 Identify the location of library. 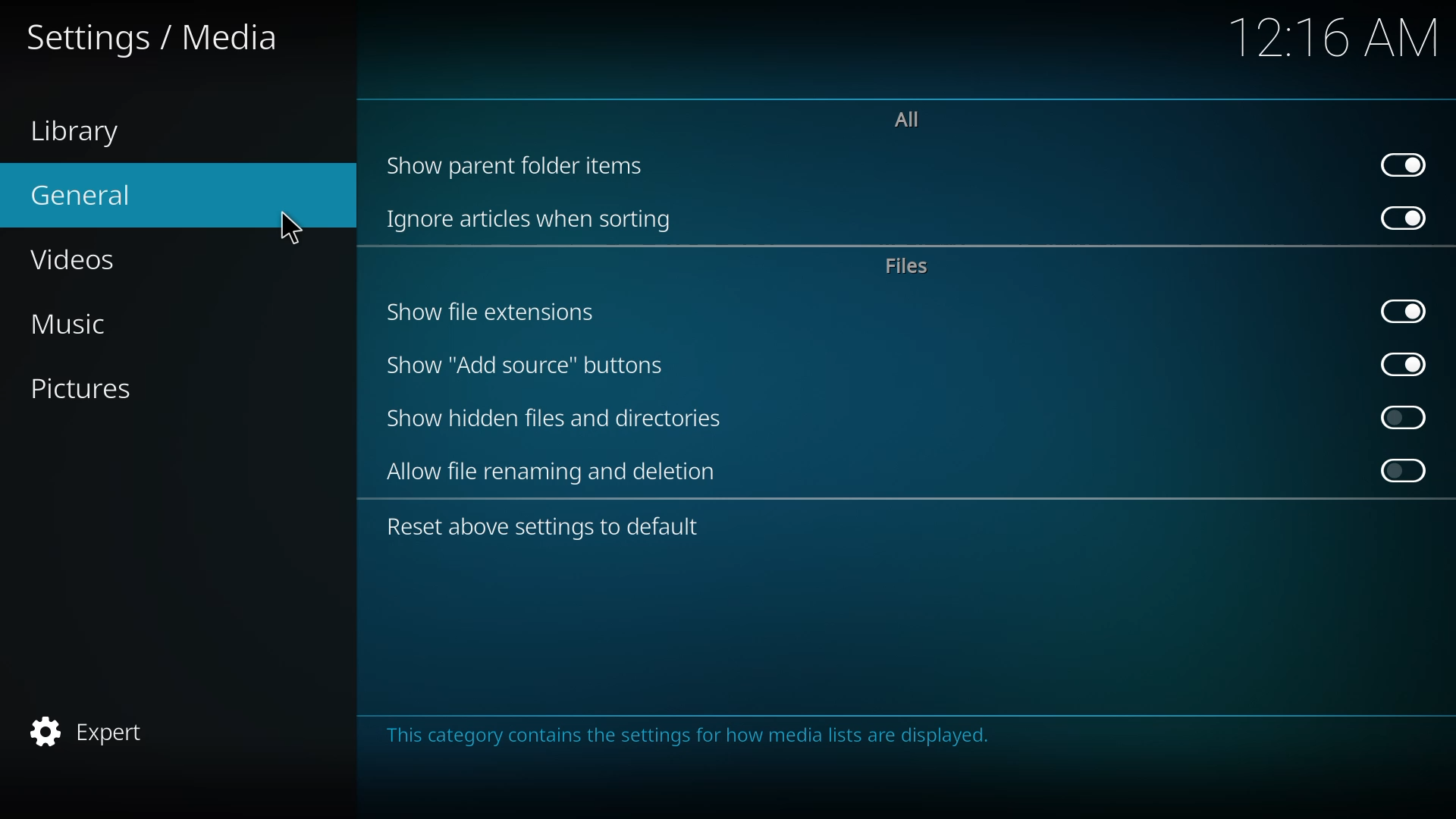
(80, 129).